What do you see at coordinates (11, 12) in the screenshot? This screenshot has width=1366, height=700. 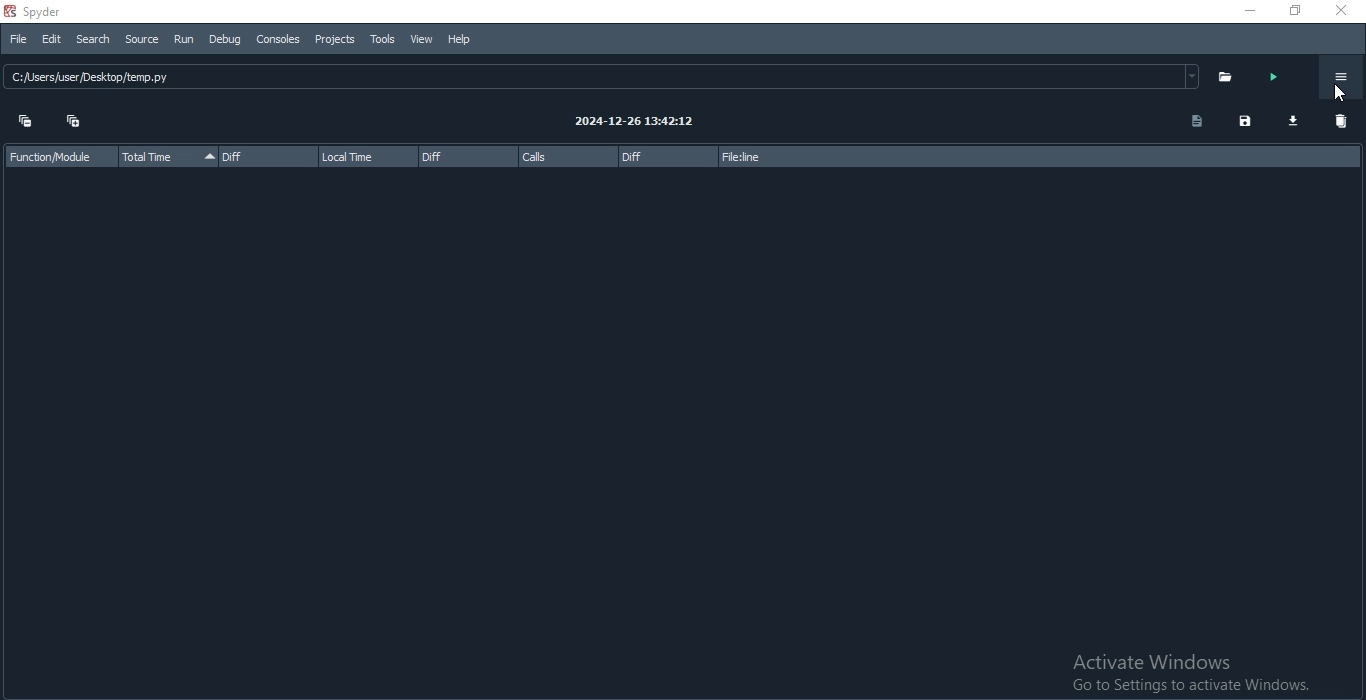 I see `spyder logo` at bounding box center [11, 12].